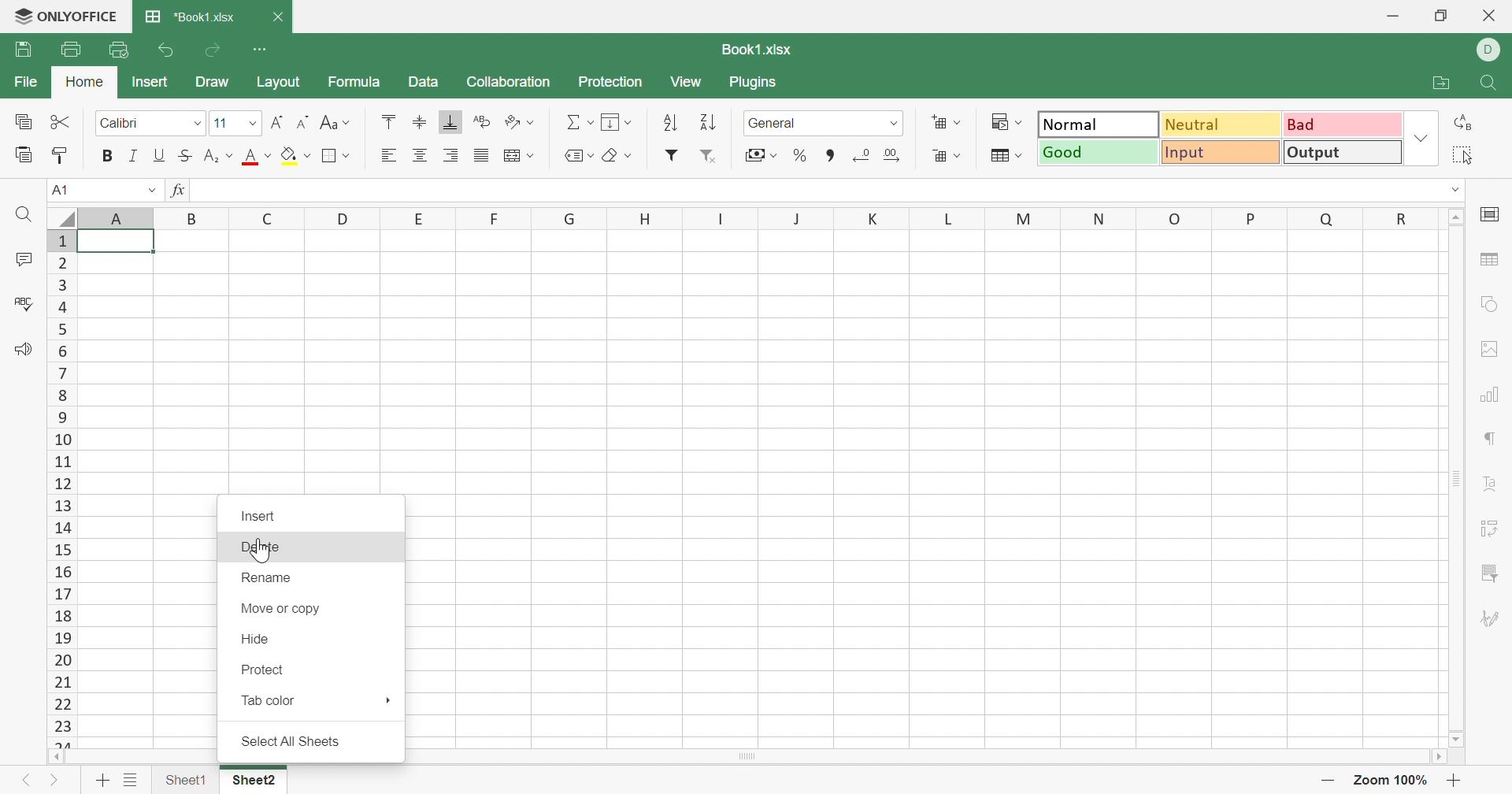 This screenshot has width=1512, height=794. What do you see at coordinates (150, 189) in the screenshot?
I see `Drop Down` at bounding box center [150, 189].